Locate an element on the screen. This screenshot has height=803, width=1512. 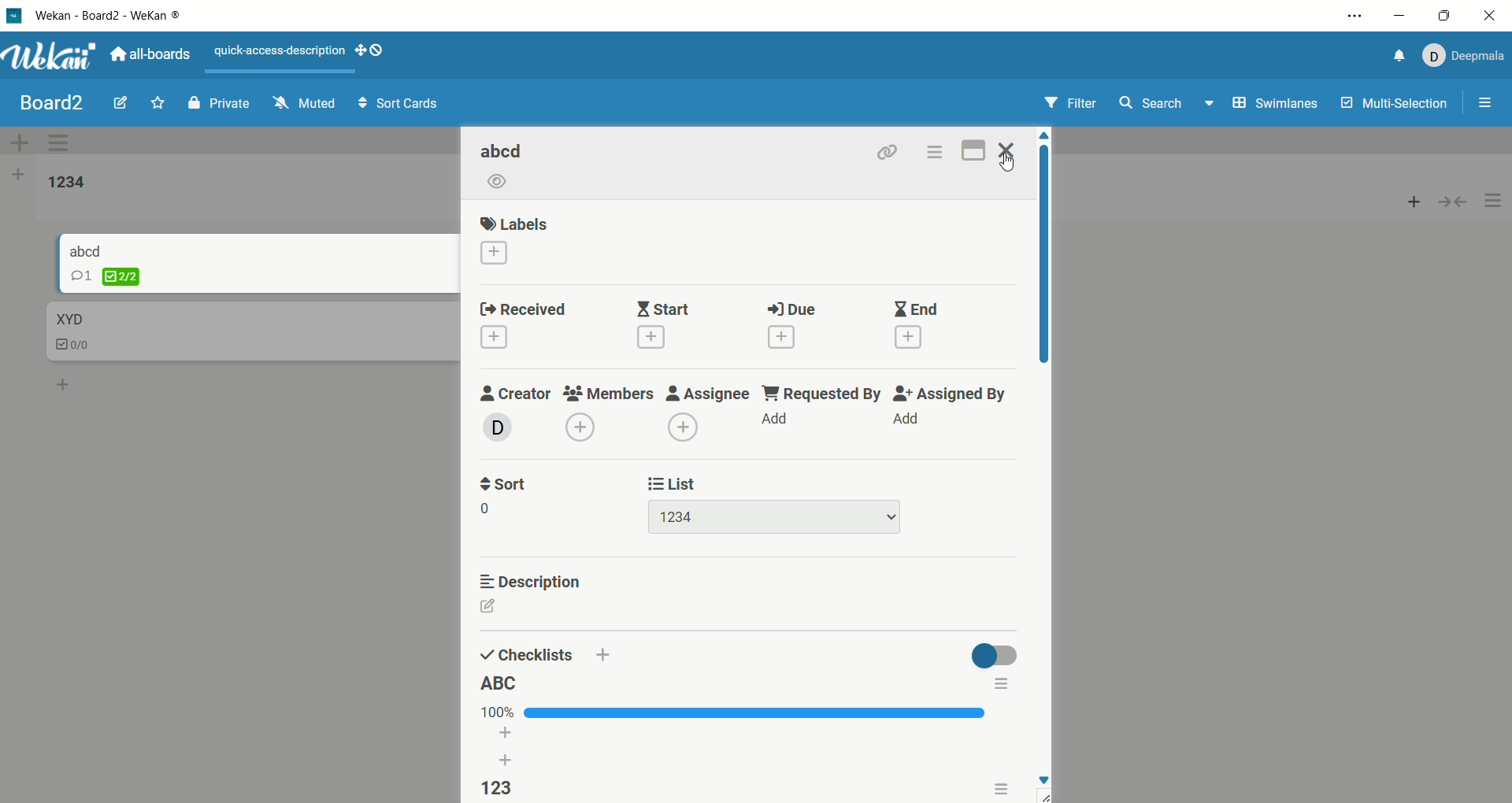
private is located at coordinates (212, 103).